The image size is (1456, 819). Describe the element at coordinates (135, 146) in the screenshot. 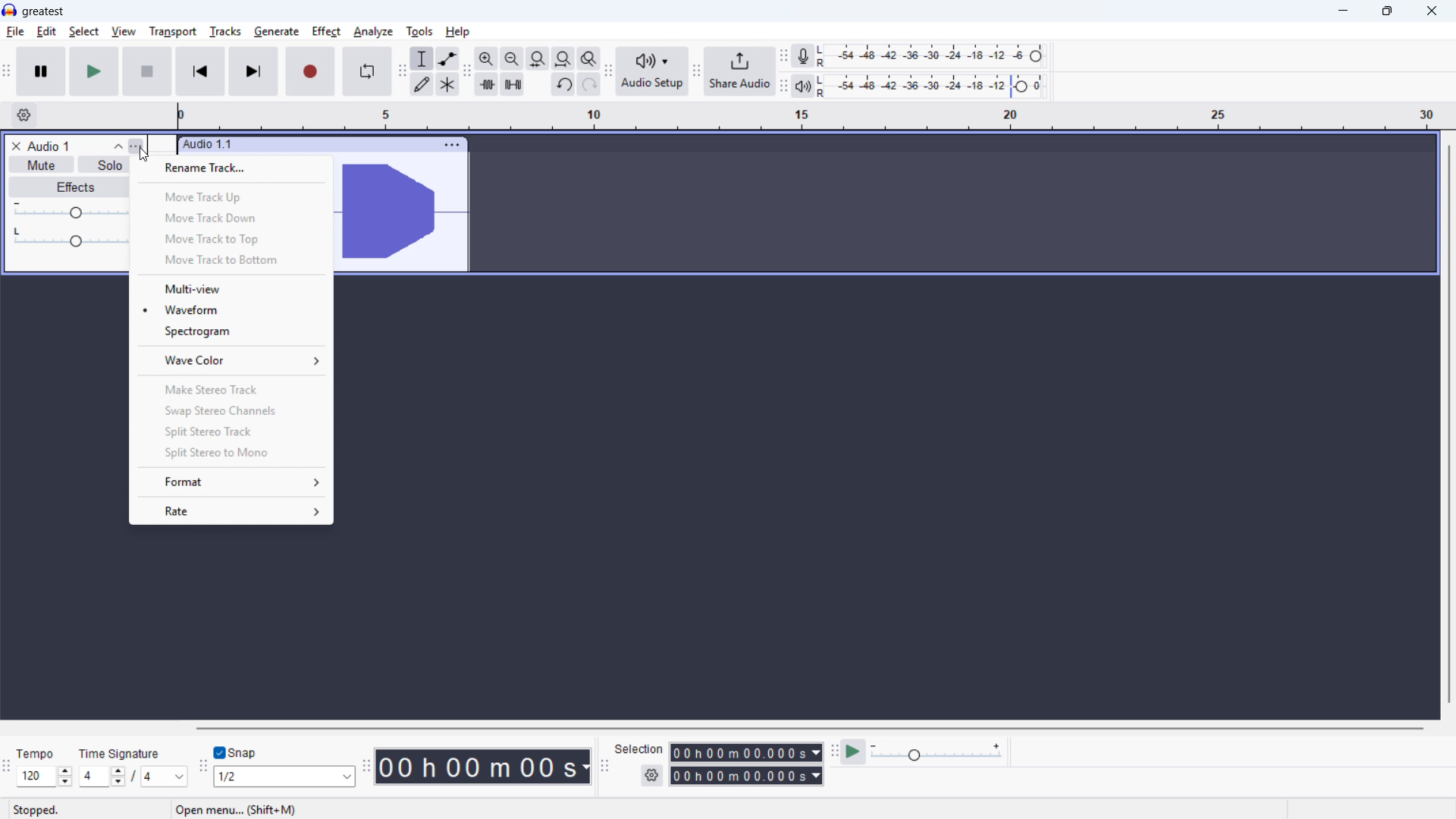

I see `track control panel menu` at that location.